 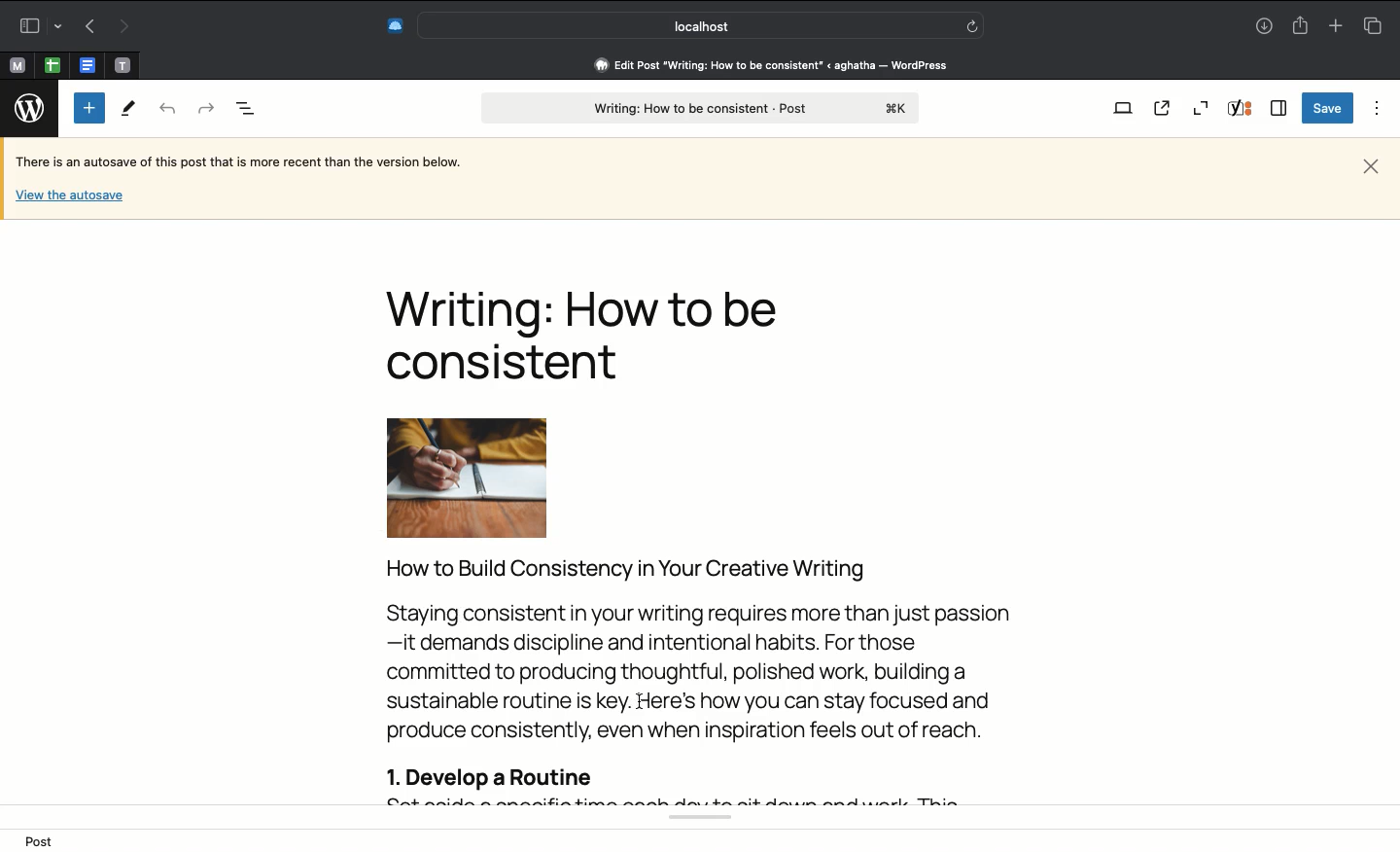 What do you see at coordinates (168, 110) in the screenshot?
I see `Undo` at bounding box center [168, 110].